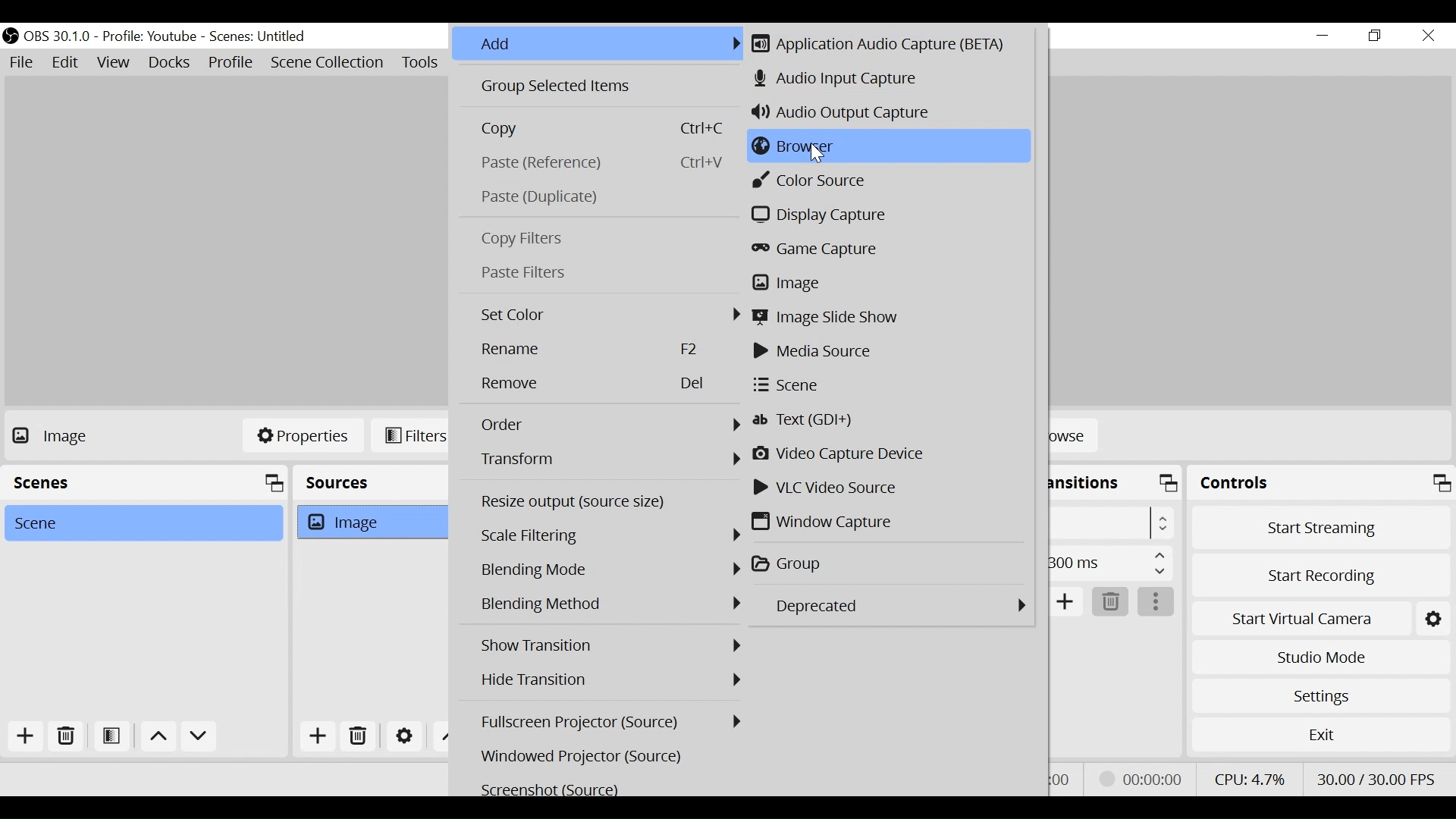 Image resolution: width=1456 pixels, height=819 pixels. Describe the element at coordinates (404, 736) in the screenshot. I see `Settings` at that location.